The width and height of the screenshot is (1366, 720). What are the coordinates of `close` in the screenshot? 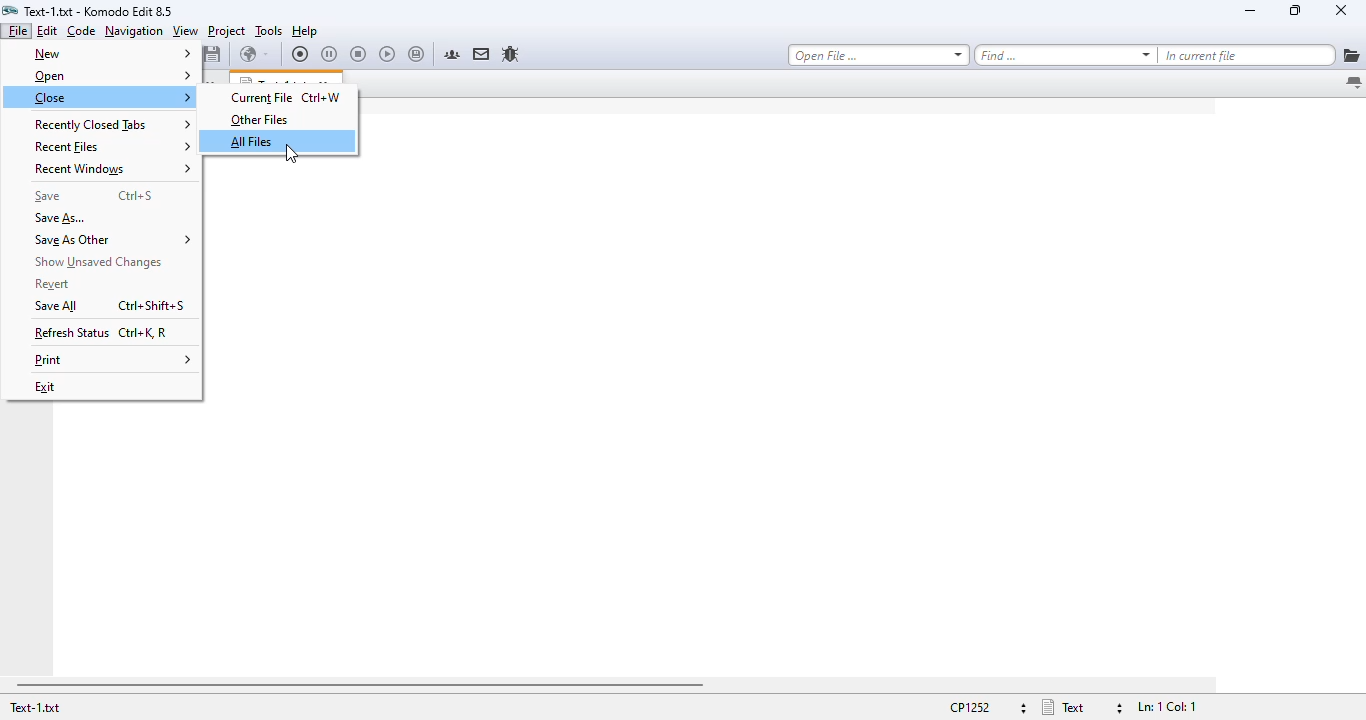 It's located at (1340, 10).